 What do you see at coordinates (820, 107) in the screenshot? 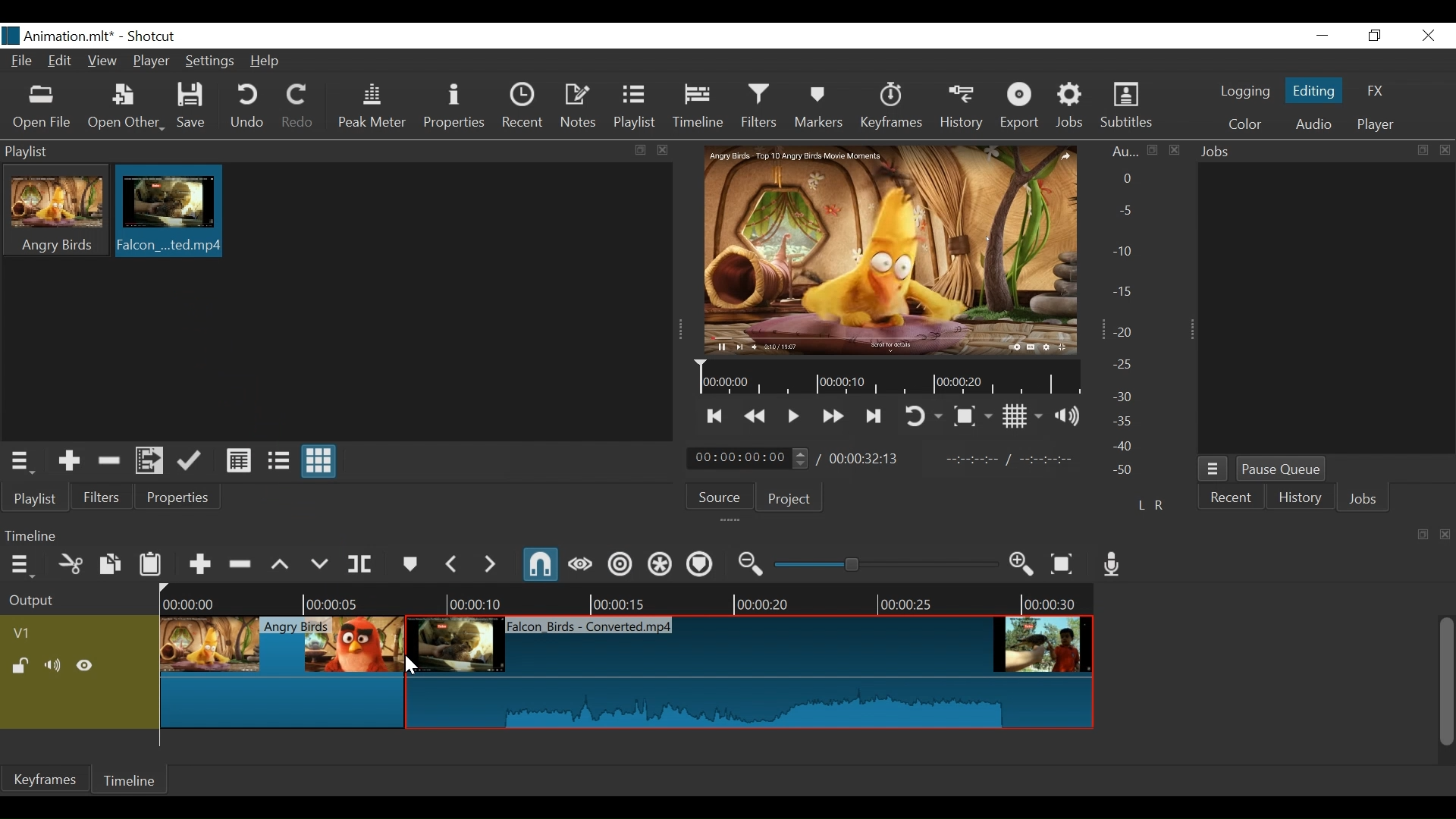
I see `Markers` at bounding box center [820, 107].